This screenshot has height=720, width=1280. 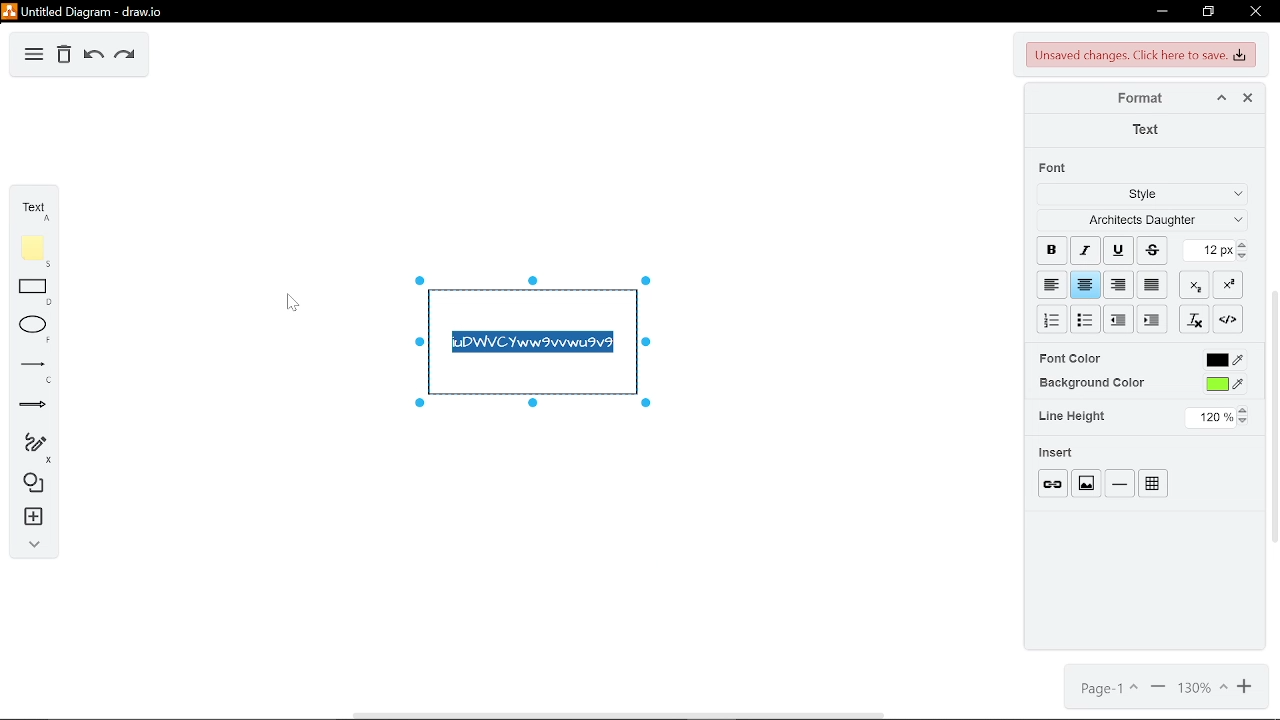 I want to click on background color, so click(x=1223, y=384).